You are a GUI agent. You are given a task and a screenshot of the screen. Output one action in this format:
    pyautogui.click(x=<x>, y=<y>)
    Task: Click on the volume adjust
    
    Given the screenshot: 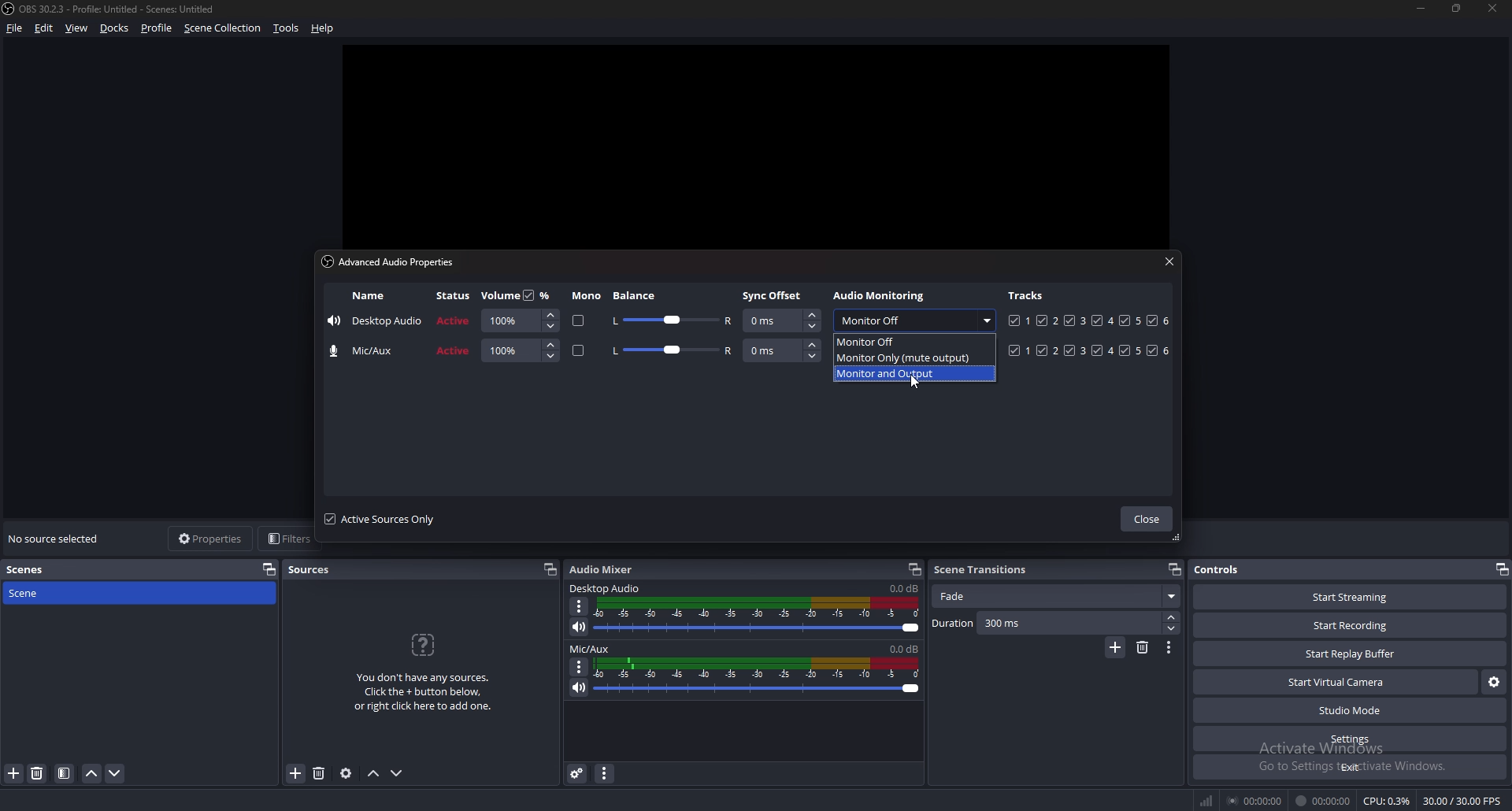 What is the action you would take?
    pyautogui.click(x=757, y=617)
    